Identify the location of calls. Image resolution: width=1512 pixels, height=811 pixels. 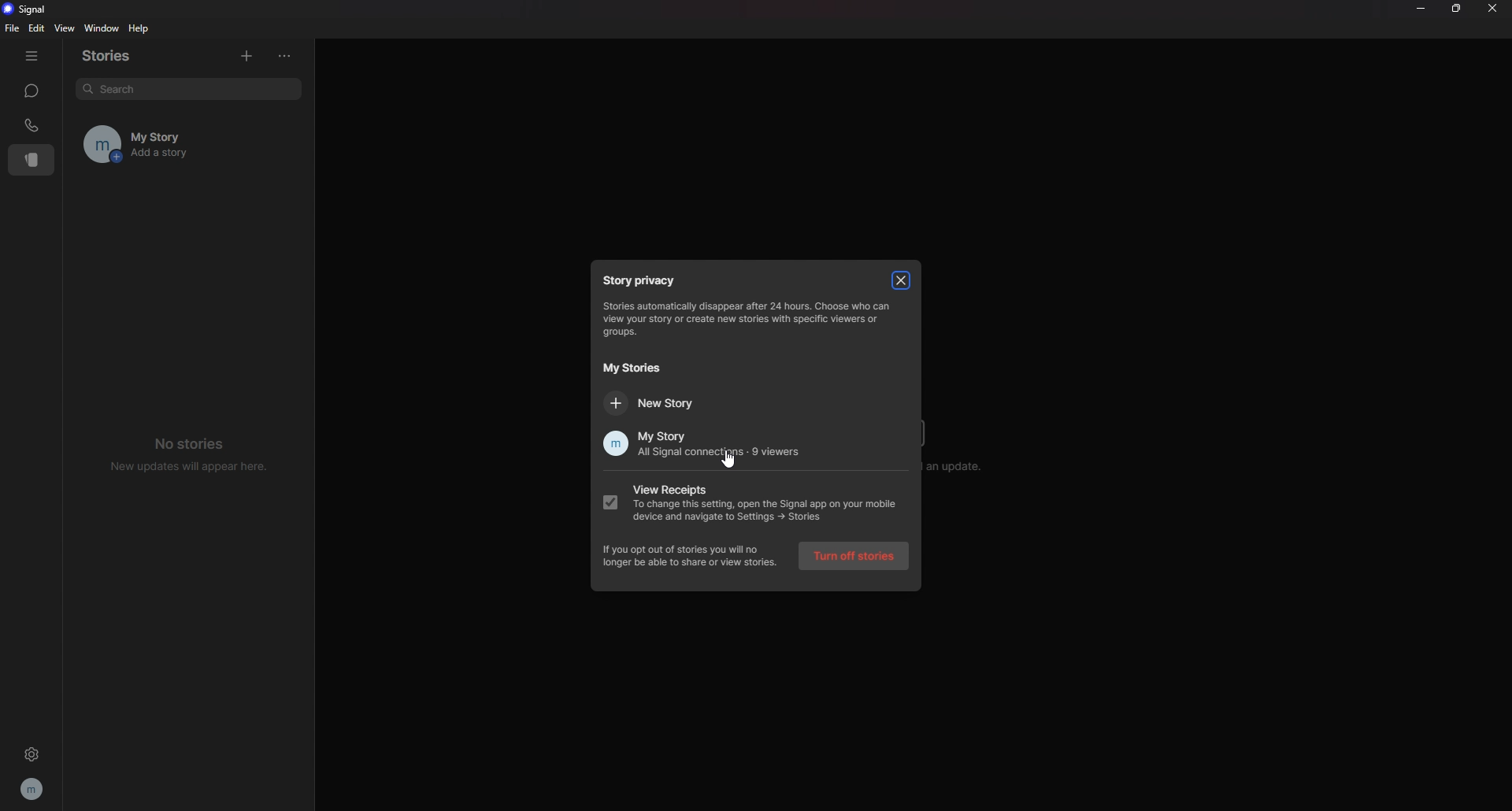
(32, 125).